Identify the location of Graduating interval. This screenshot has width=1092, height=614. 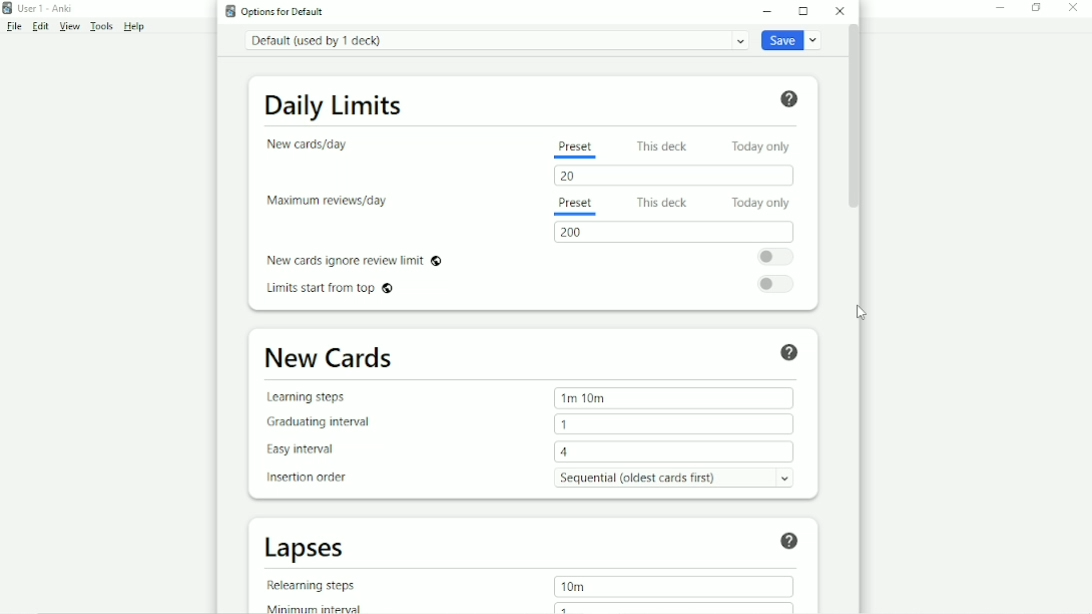
(320, 423).